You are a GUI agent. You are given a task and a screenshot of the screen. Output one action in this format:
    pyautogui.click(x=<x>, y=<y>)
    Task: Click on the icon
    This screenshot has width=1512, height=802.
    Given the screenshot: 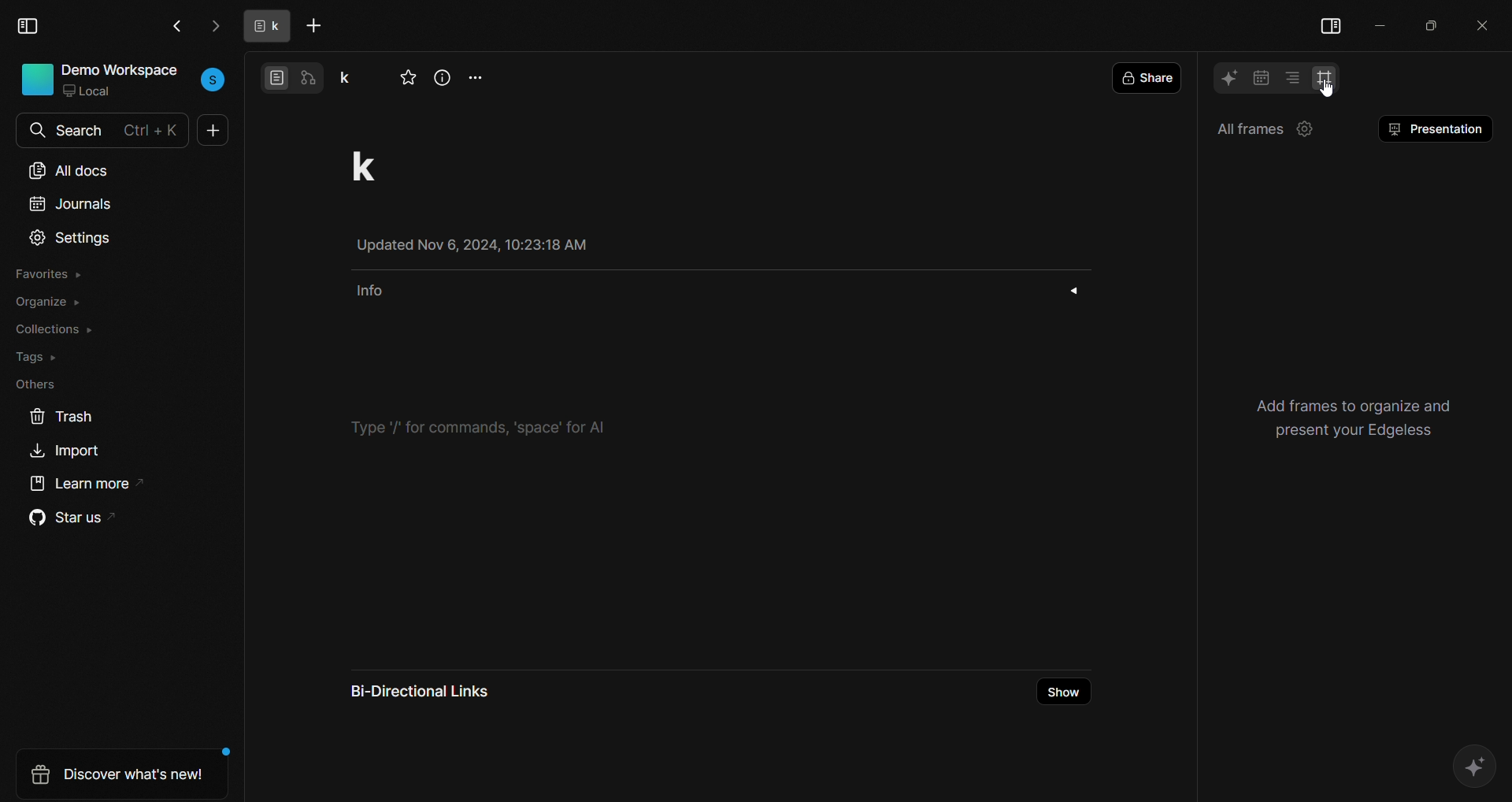 What is the action you would take?
    pyautogui.click(x=37, y=79)
    